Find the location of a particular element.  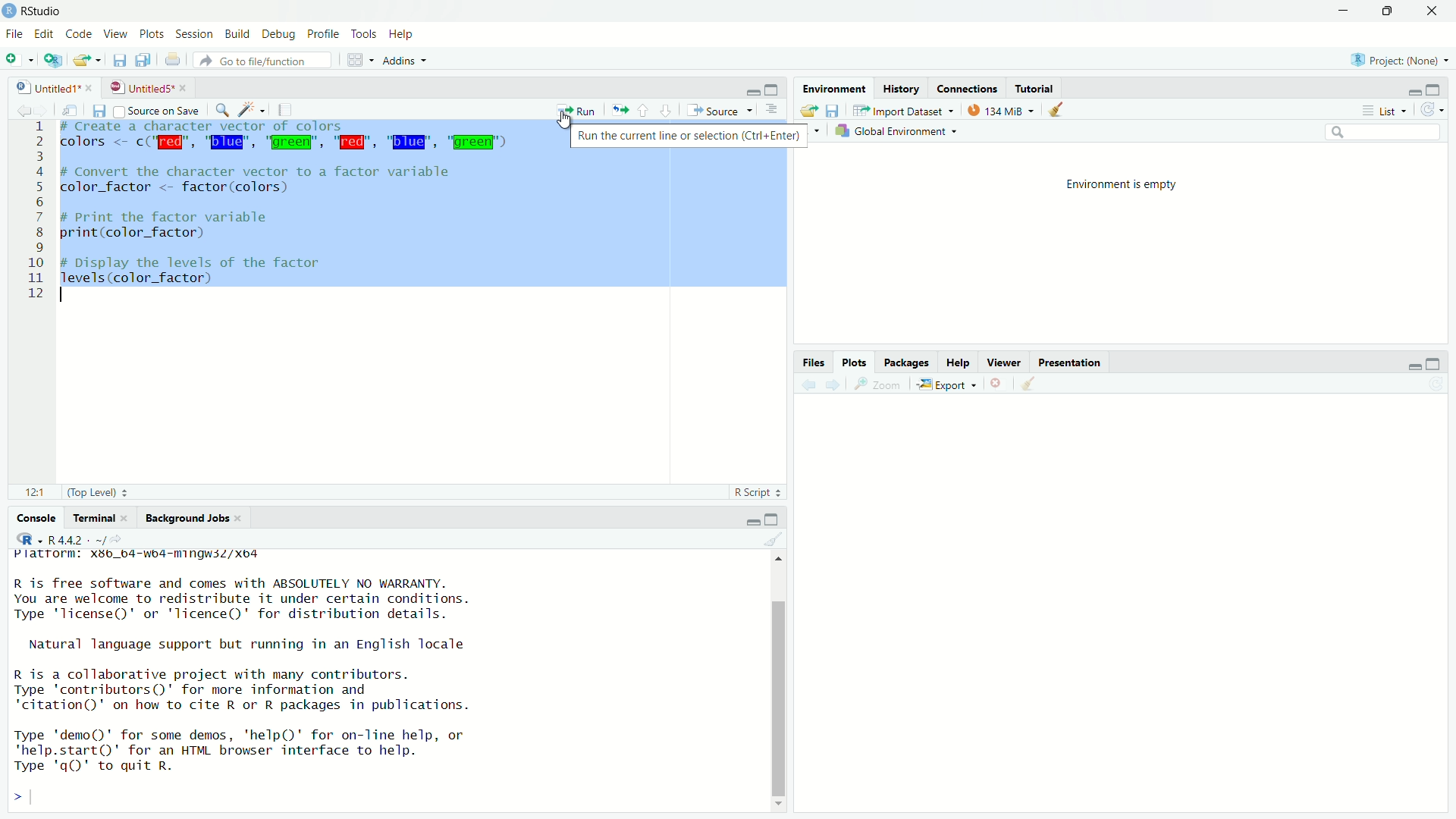

run the current line or selection is located at coordinates (576, 110).